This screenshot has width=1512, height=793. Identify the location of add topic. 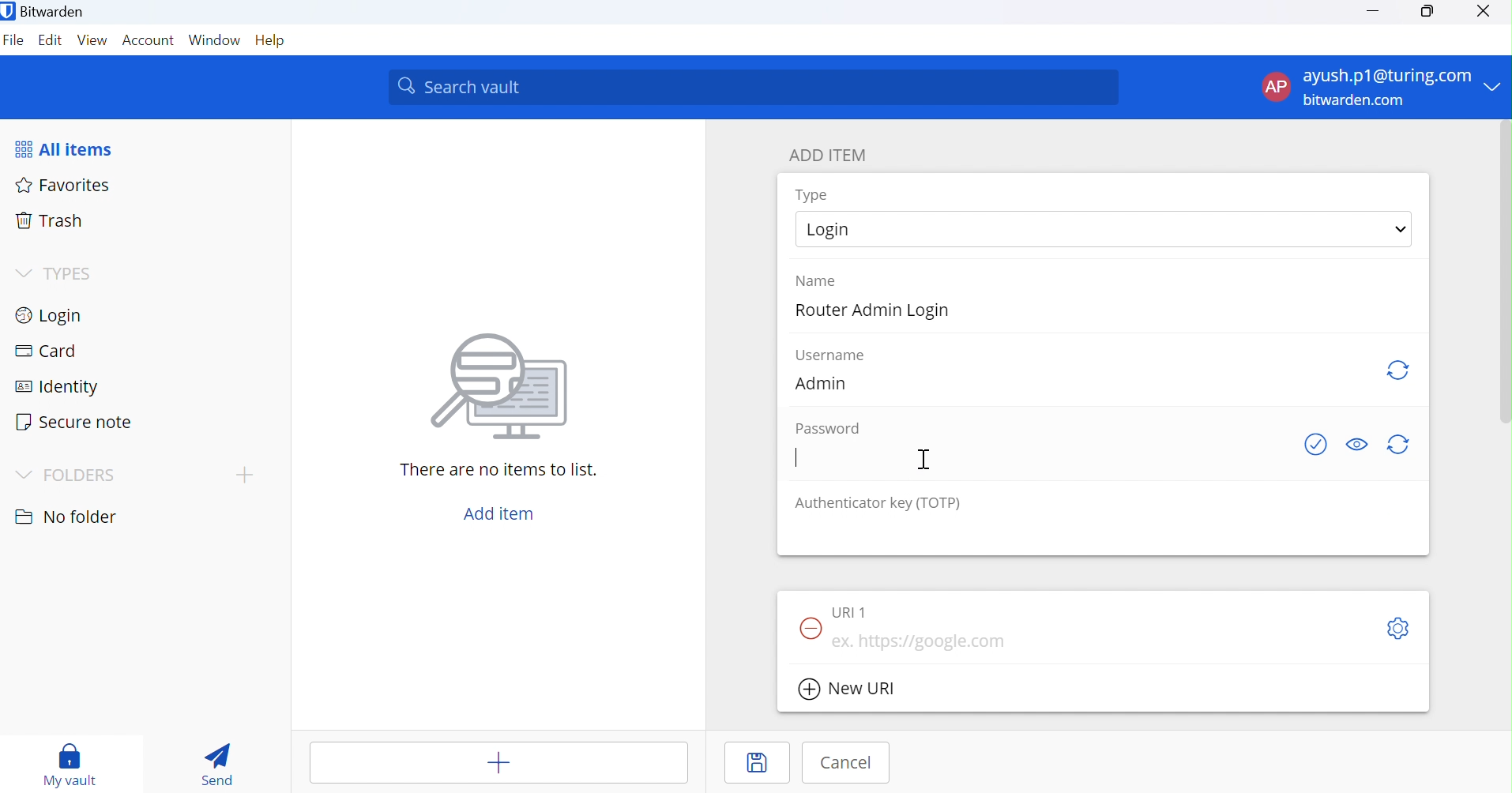
(245, 474).